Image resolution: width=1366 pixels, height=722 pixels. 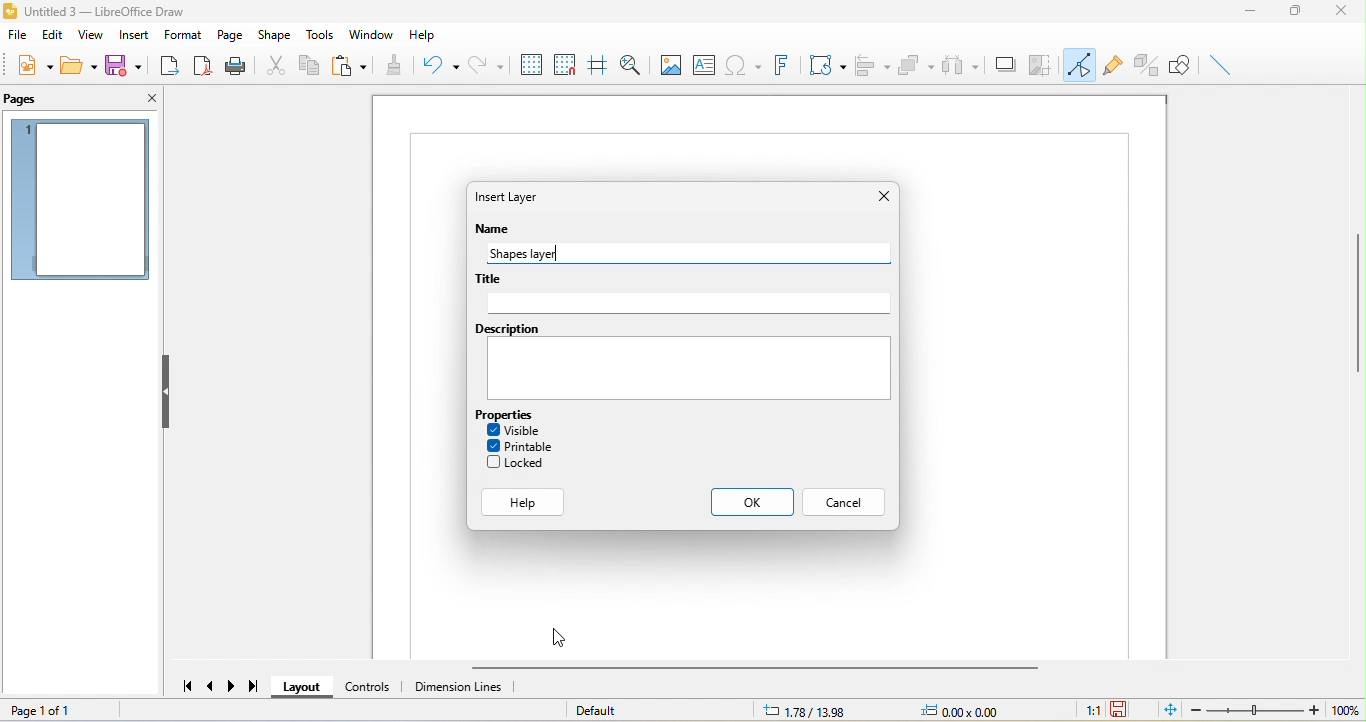 What do you see at coordinates (532, 63) in the screenshot?
I see `display to grid` at bounding box center [532, 63].